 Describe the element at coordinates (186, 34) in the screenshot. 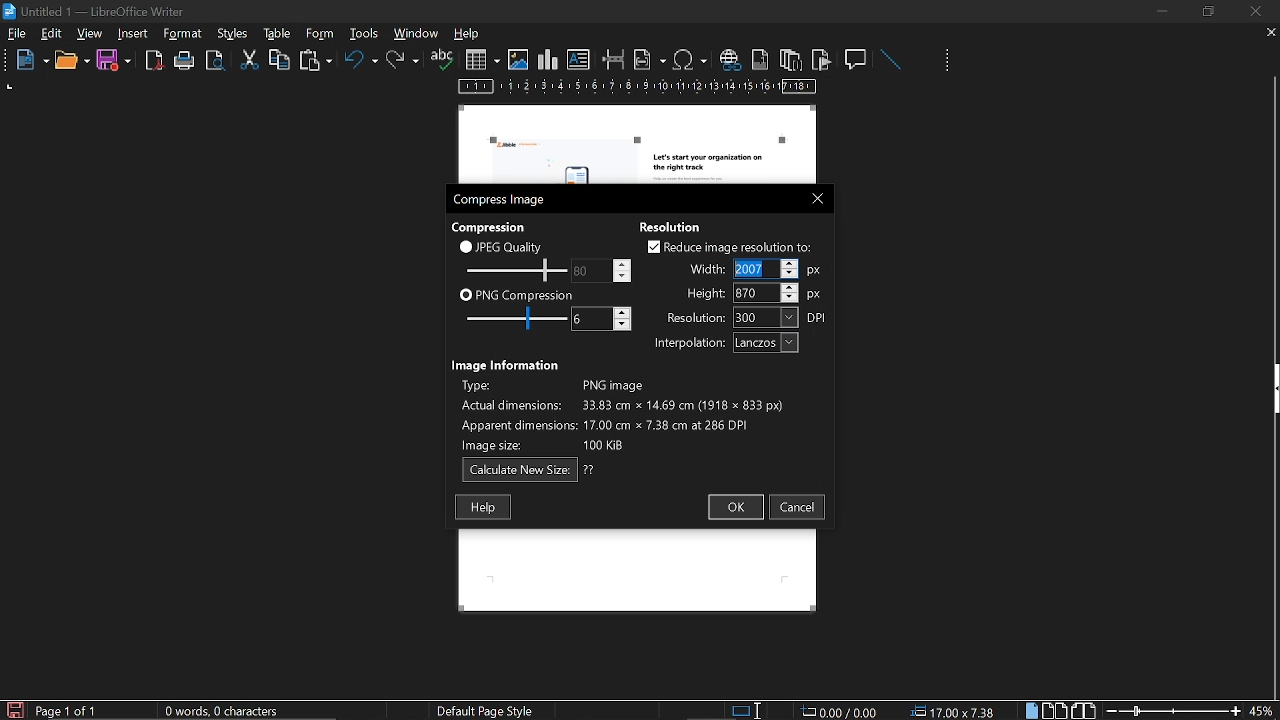

I see `tools` at that location.